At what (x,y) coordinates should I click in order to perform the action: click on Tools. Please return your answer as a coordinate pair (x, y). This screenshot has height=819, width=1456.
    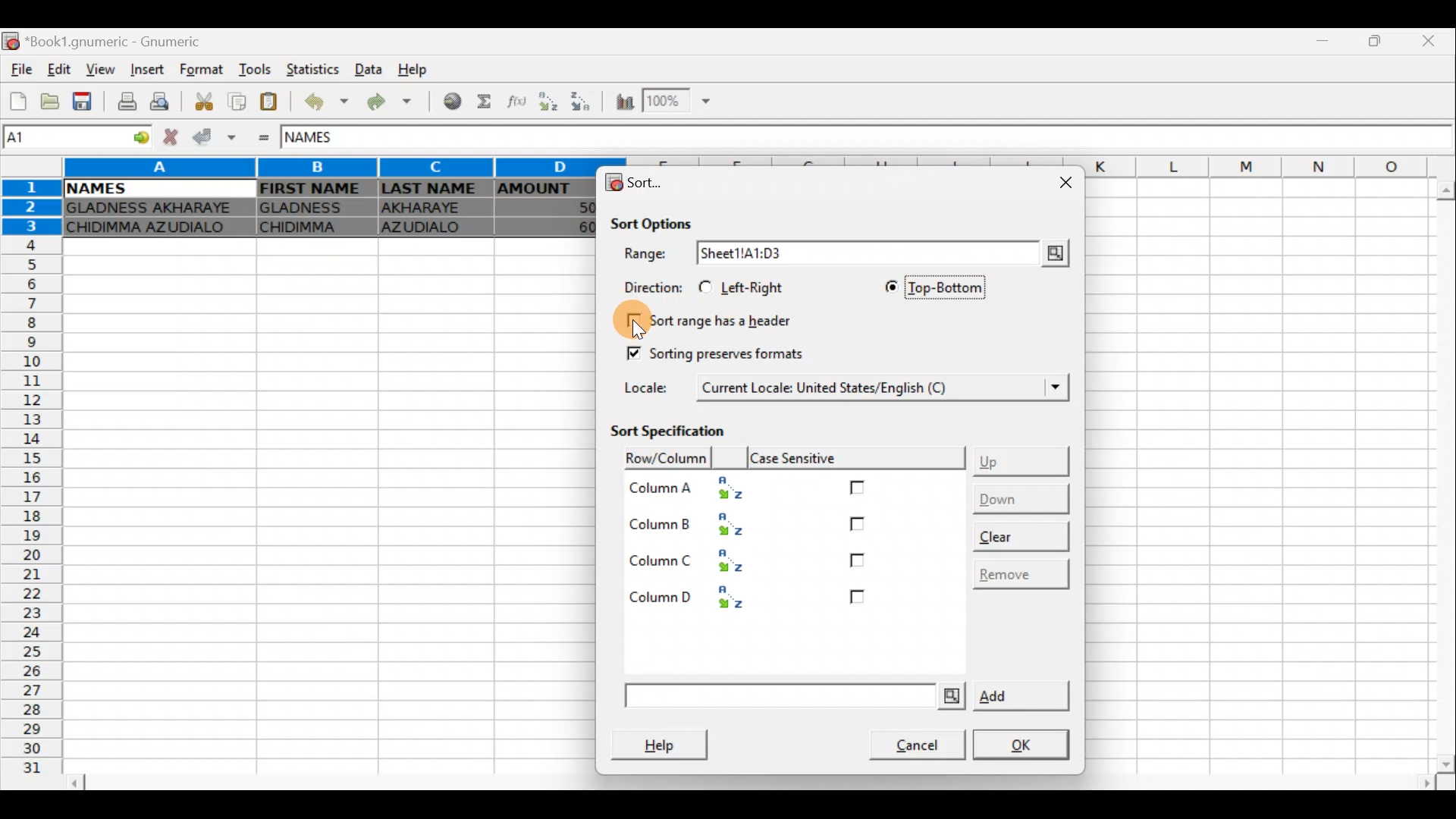
    Looking at the image, I should click on (258, 71).